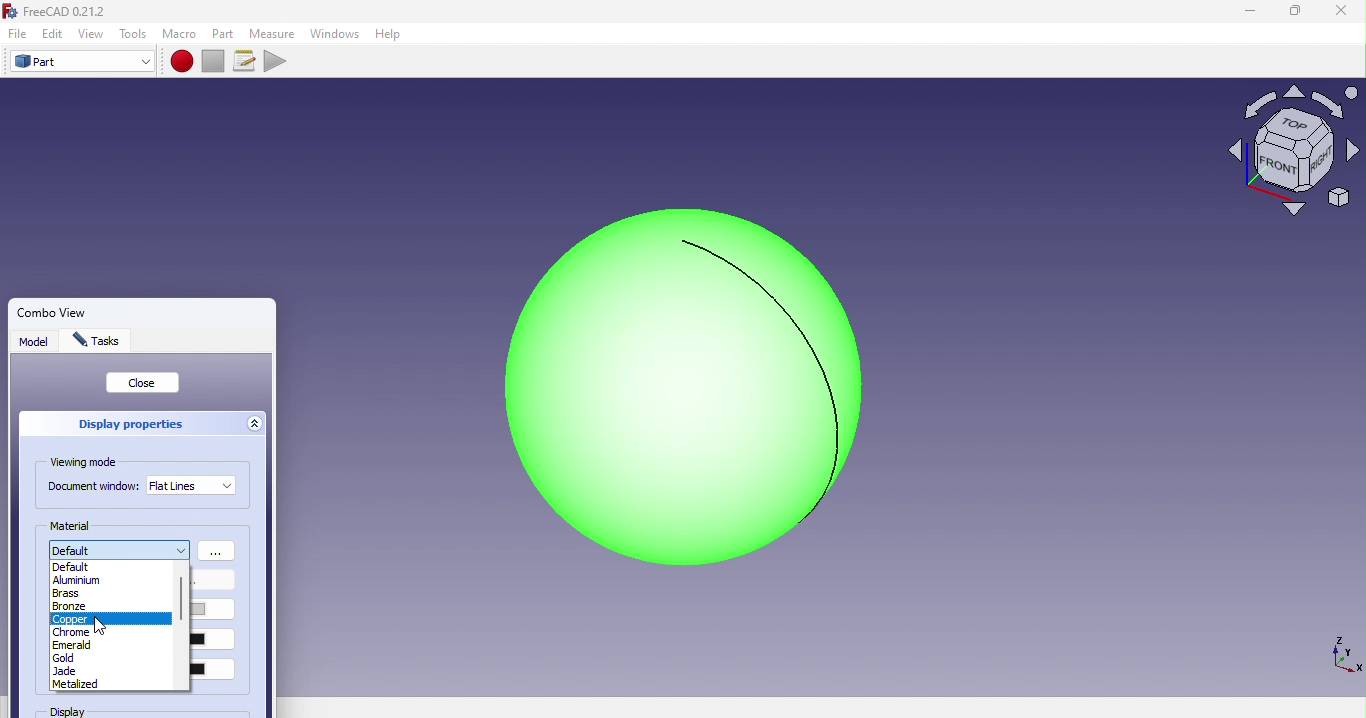 Image resolution: width=1366 pixels, height=718 pixels. Describe the element at coordinates (134, 34) in the screenshot. I see `Tools` at that location.